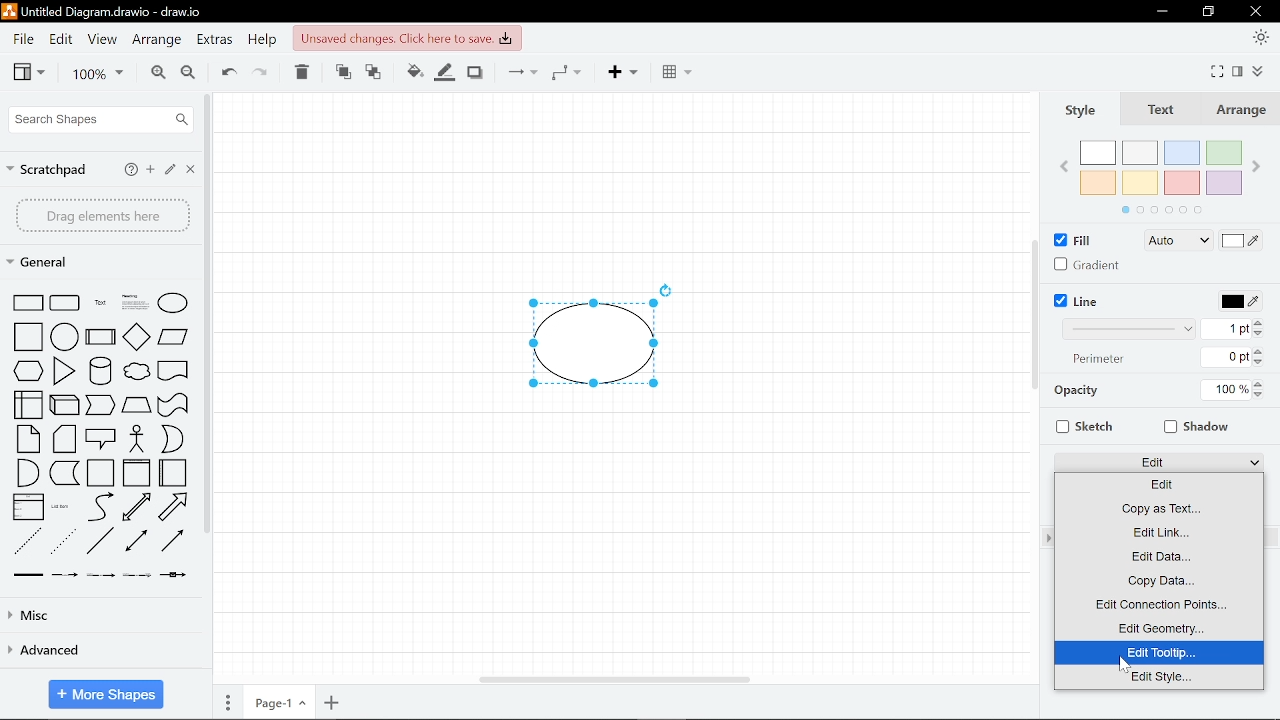 The image size is (1280, 720). I want to click on cylinder, so click(99, 370).